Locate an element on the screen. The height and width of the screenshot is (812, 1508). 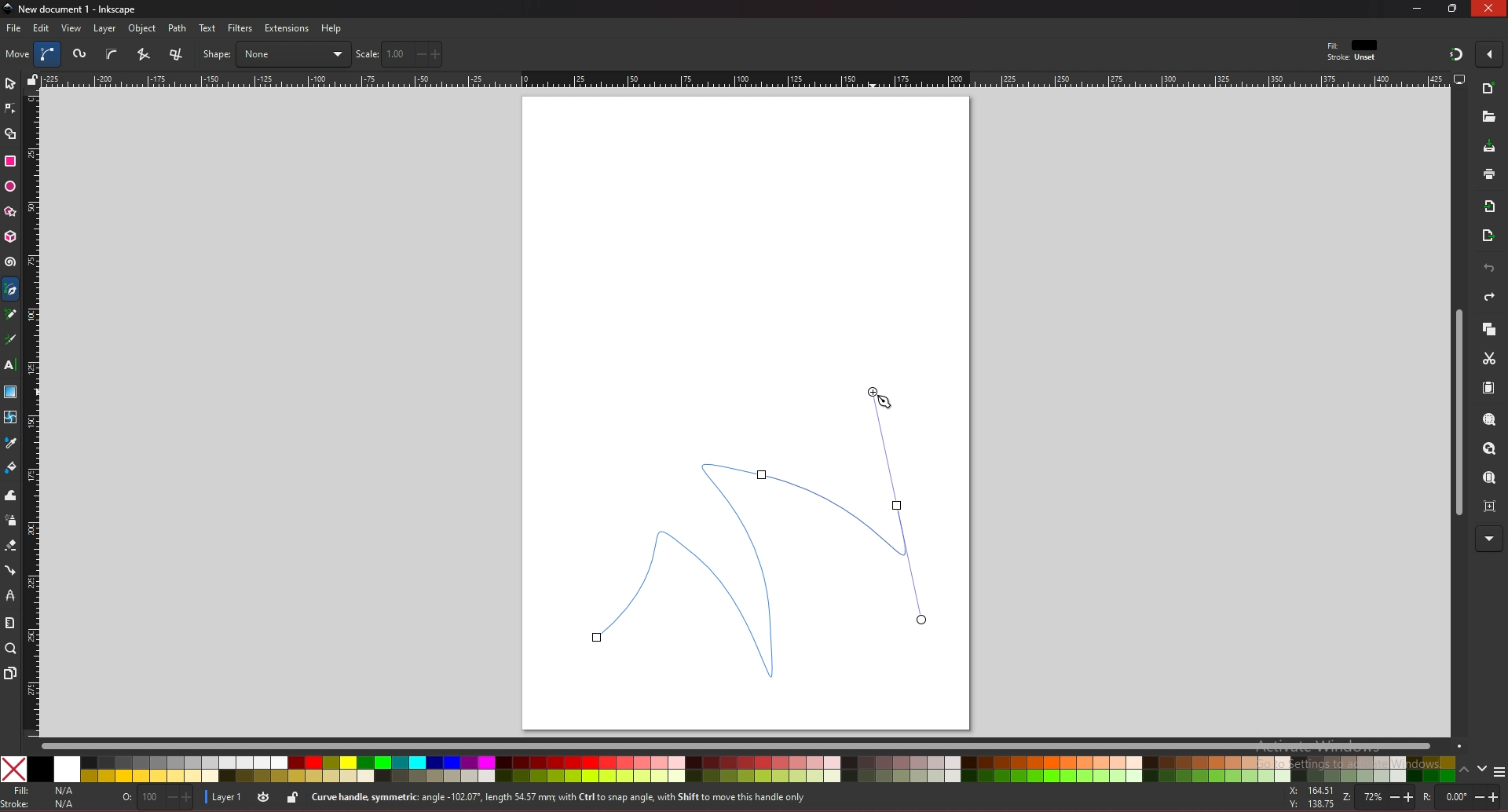
stroke is located at coordinates (42, 804).